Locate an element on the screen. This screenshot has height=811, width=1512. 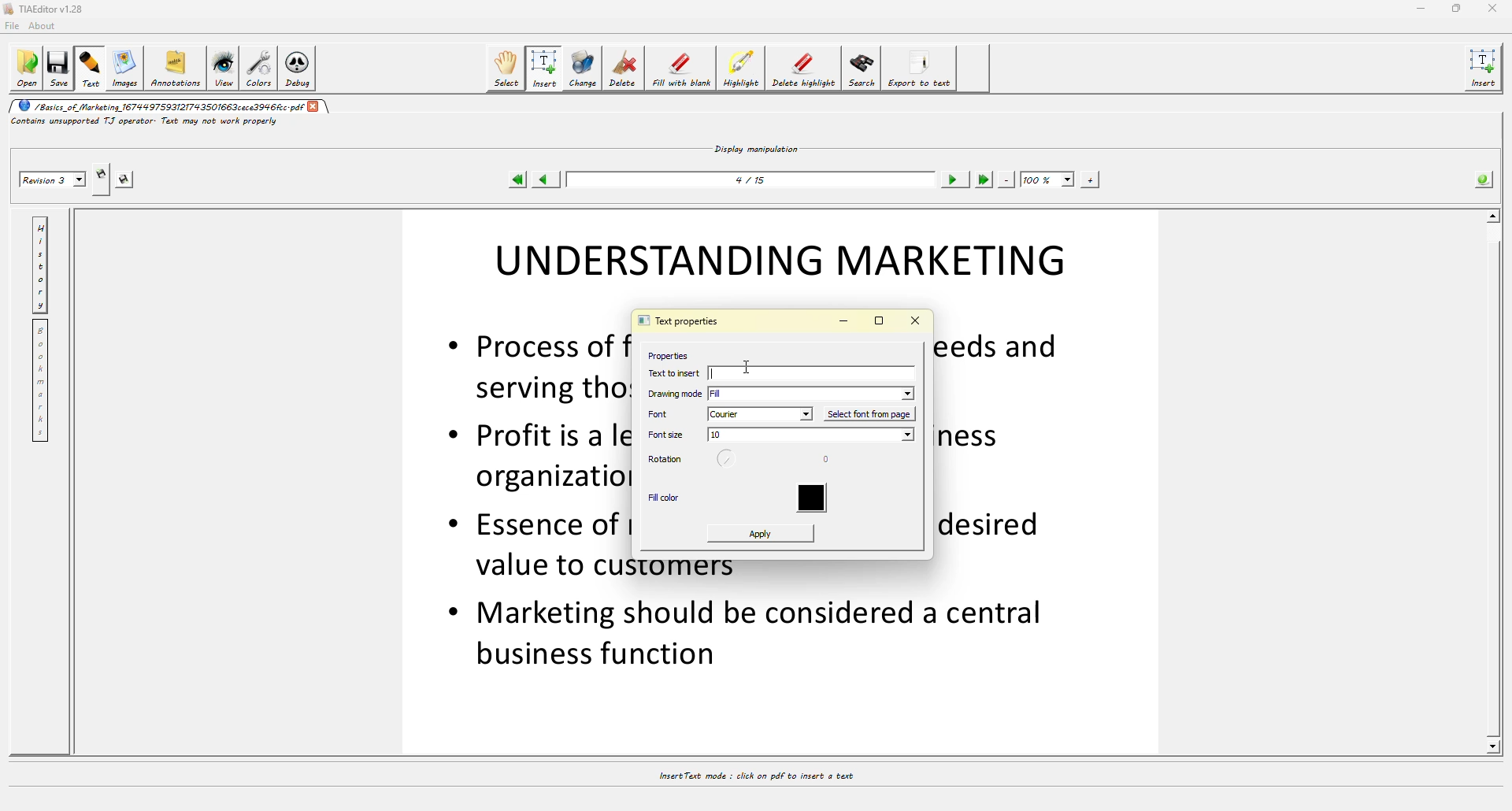
minimize is located at coordinates (1418, 9).